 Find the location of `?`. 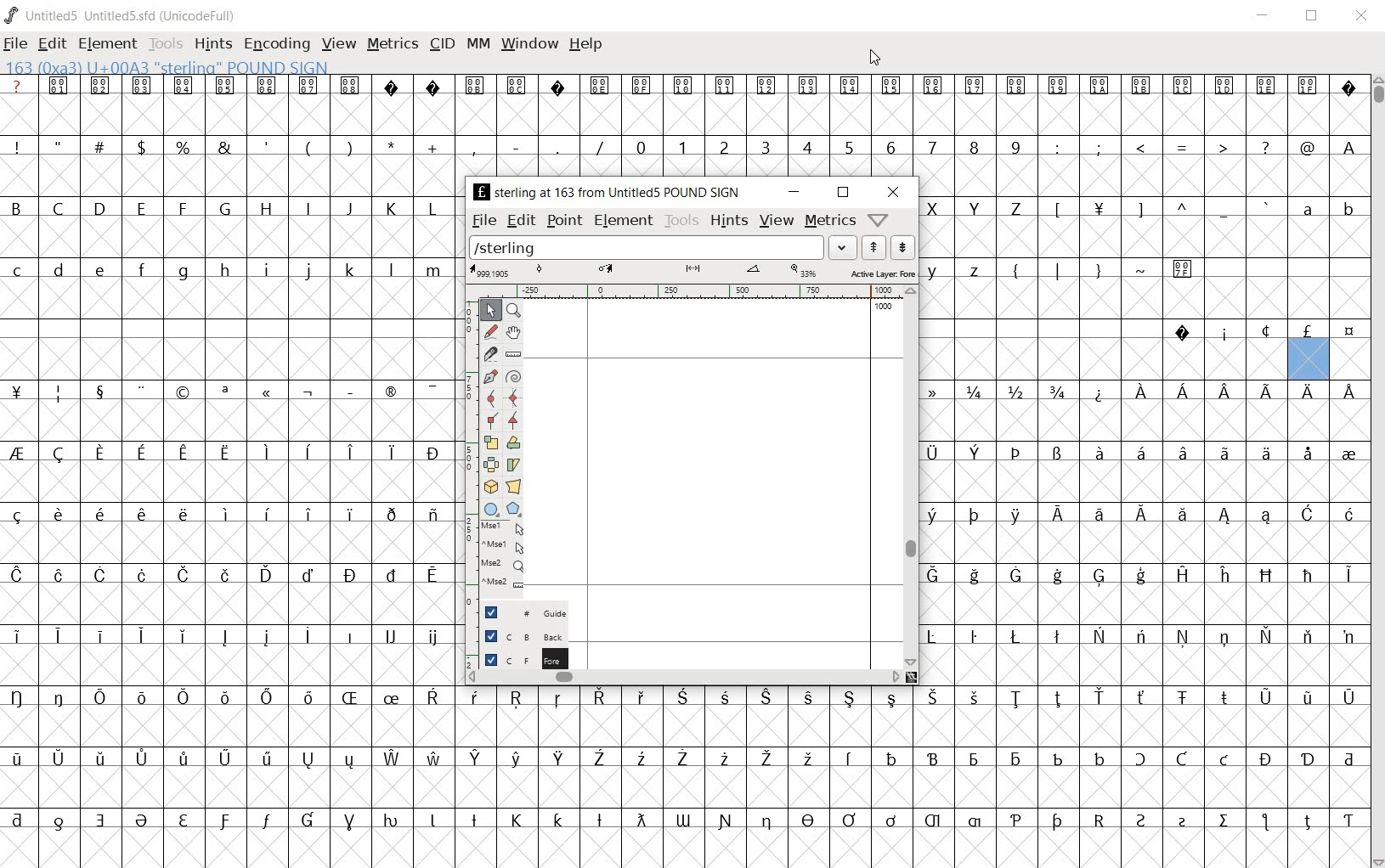

? is located at coordinates (1264, 148).